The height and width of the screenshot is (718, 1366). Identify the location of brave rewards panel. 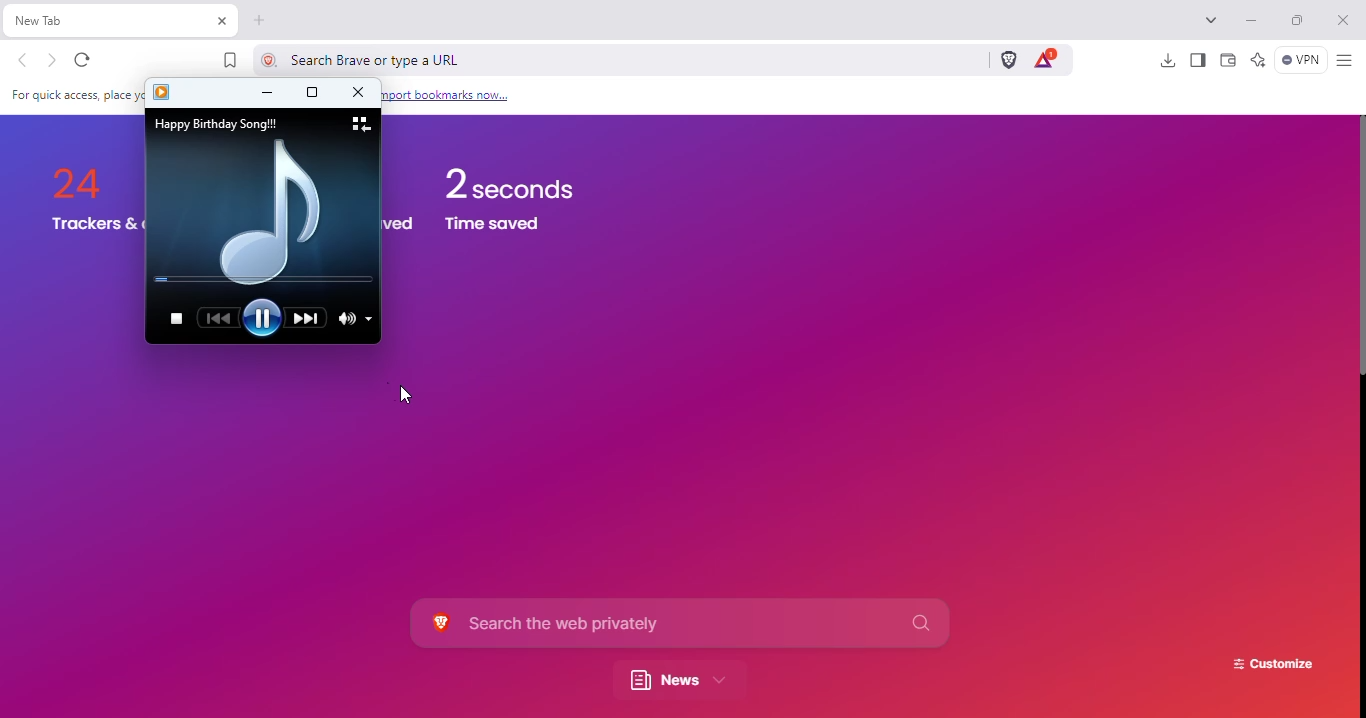
(1045, 59).